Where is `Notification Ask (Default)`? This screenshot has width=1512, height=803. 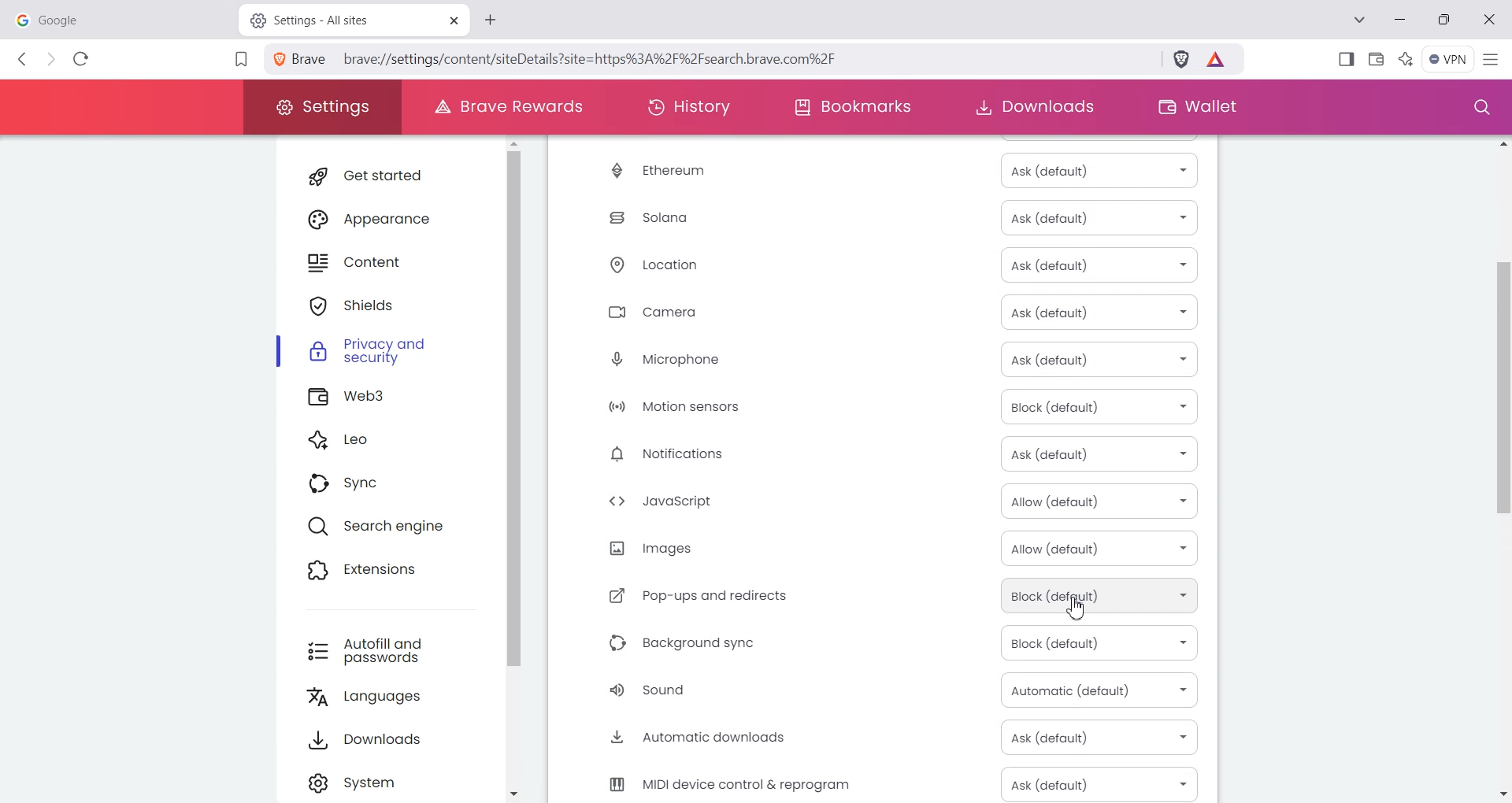 Notification Ask (Default) is located at coordinates (886, 454).